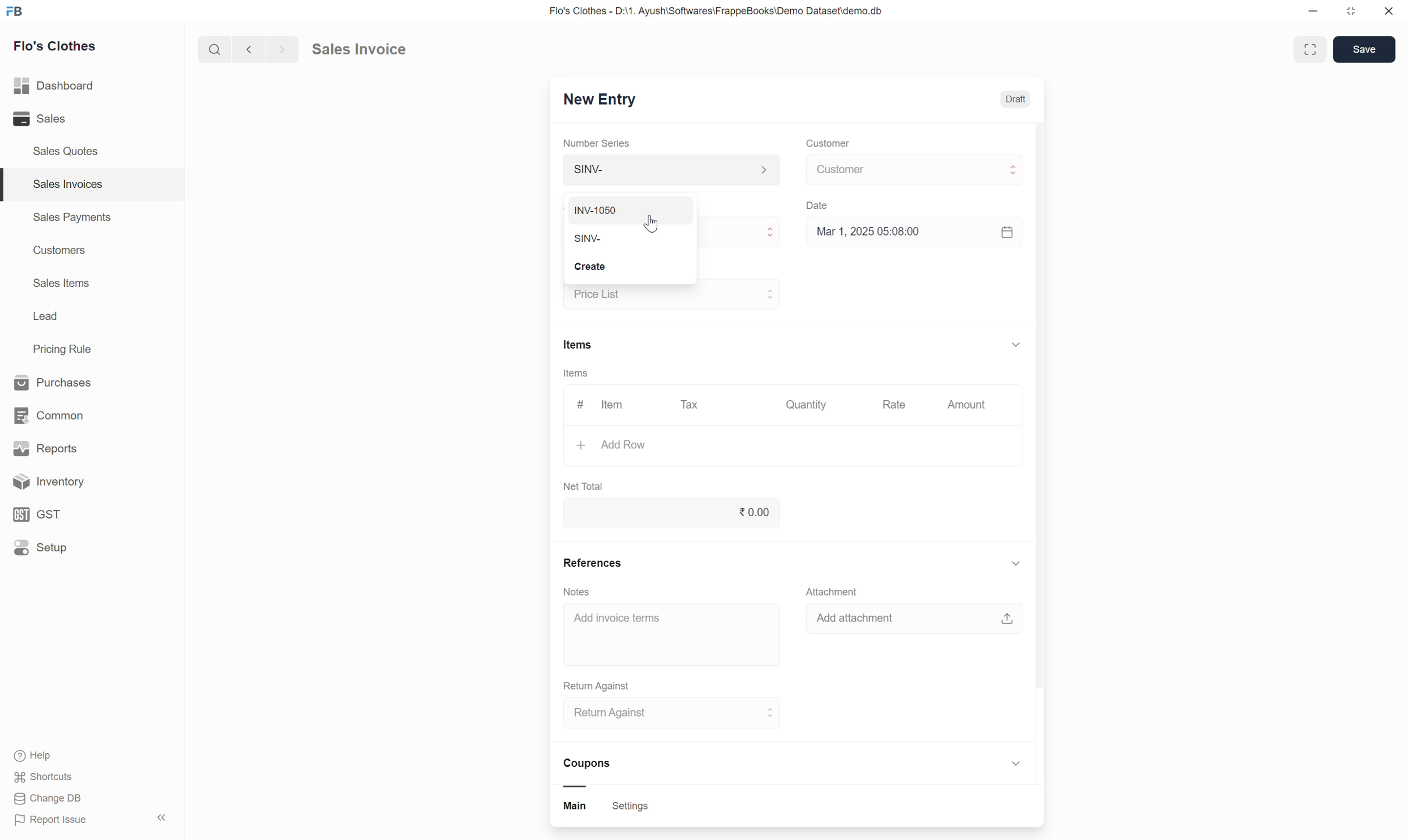  Describe the element at coordinates (1312, 49) in the screenshot. I see `full screen` at that location.